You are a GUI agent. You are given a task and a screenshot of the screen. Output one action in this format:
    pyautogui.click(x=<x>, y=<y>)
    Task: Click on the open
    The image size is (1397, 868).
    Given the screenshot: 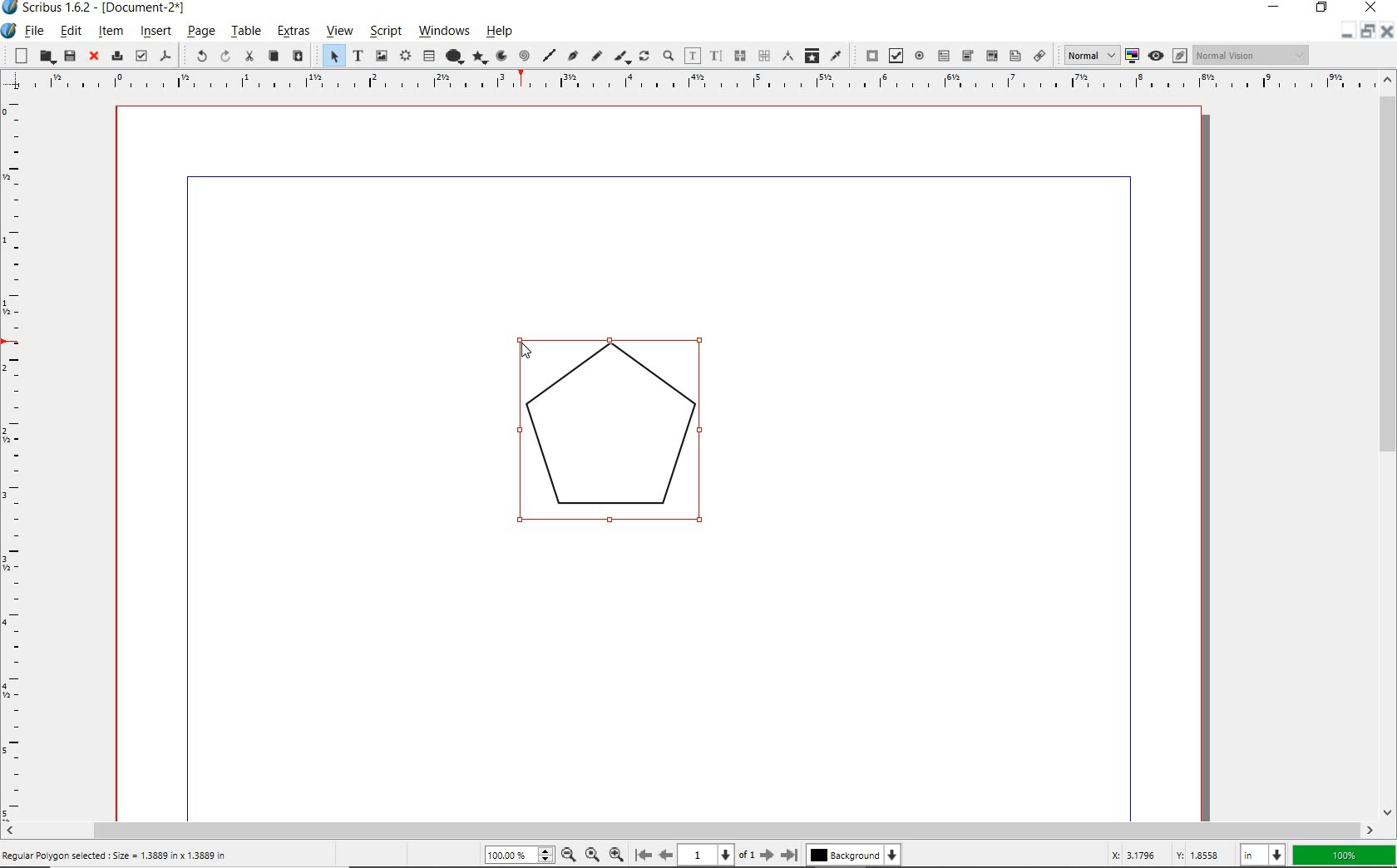 What is the action you would take?
    pyautogui.click(x=44, y=57)
    